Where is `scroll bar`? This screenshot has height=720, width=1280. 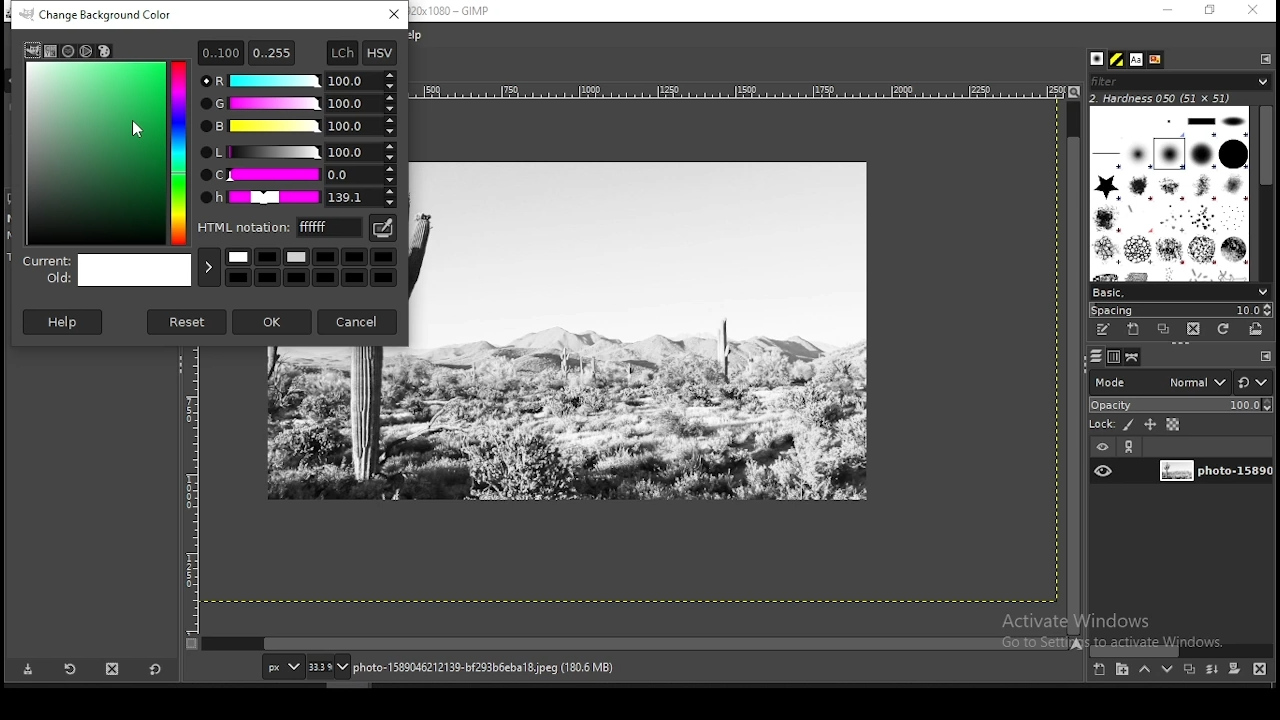 scroll bar is located at coordinates (1181, 650).